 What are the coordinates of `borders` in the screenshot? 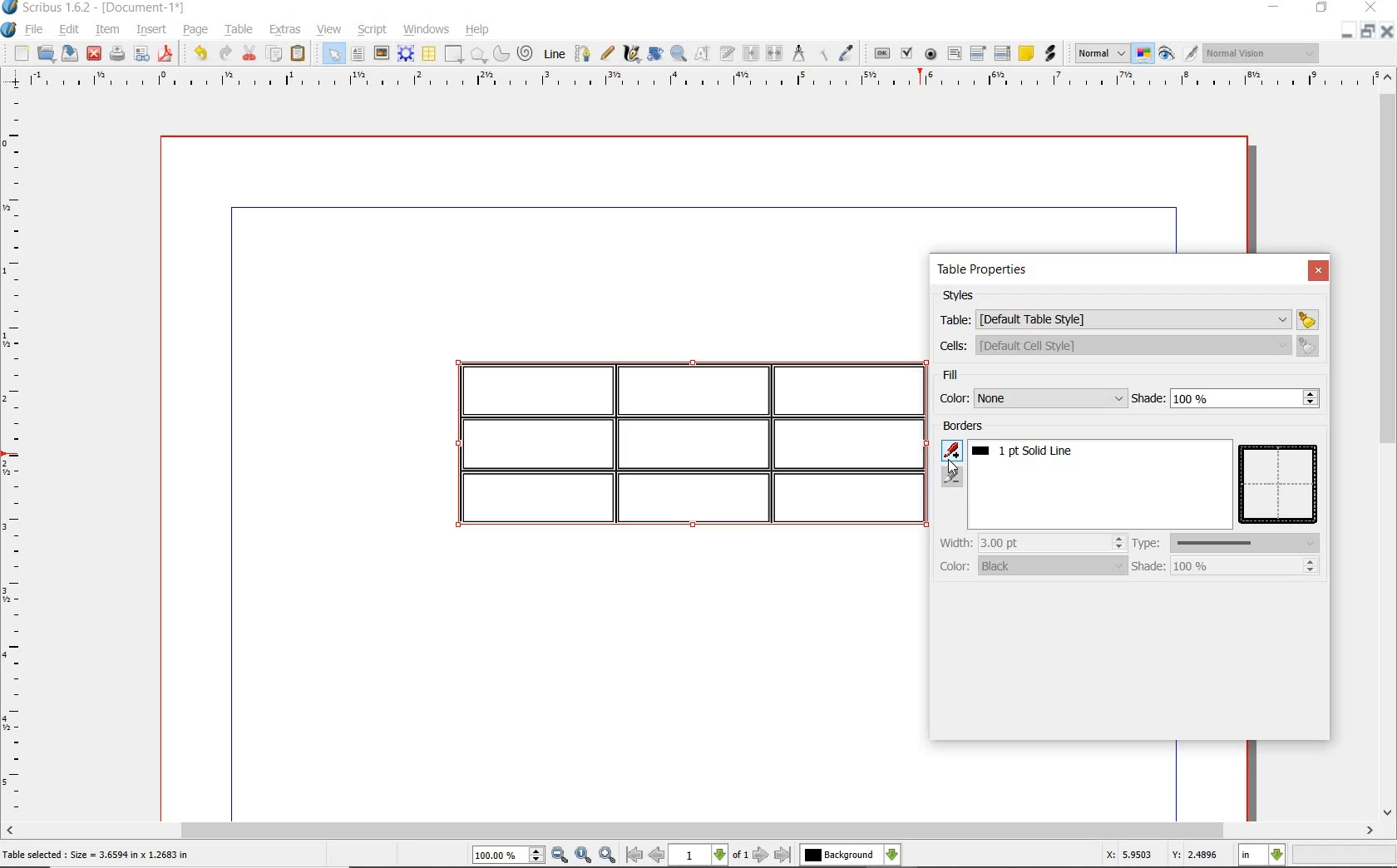 It's located at (966, 427).